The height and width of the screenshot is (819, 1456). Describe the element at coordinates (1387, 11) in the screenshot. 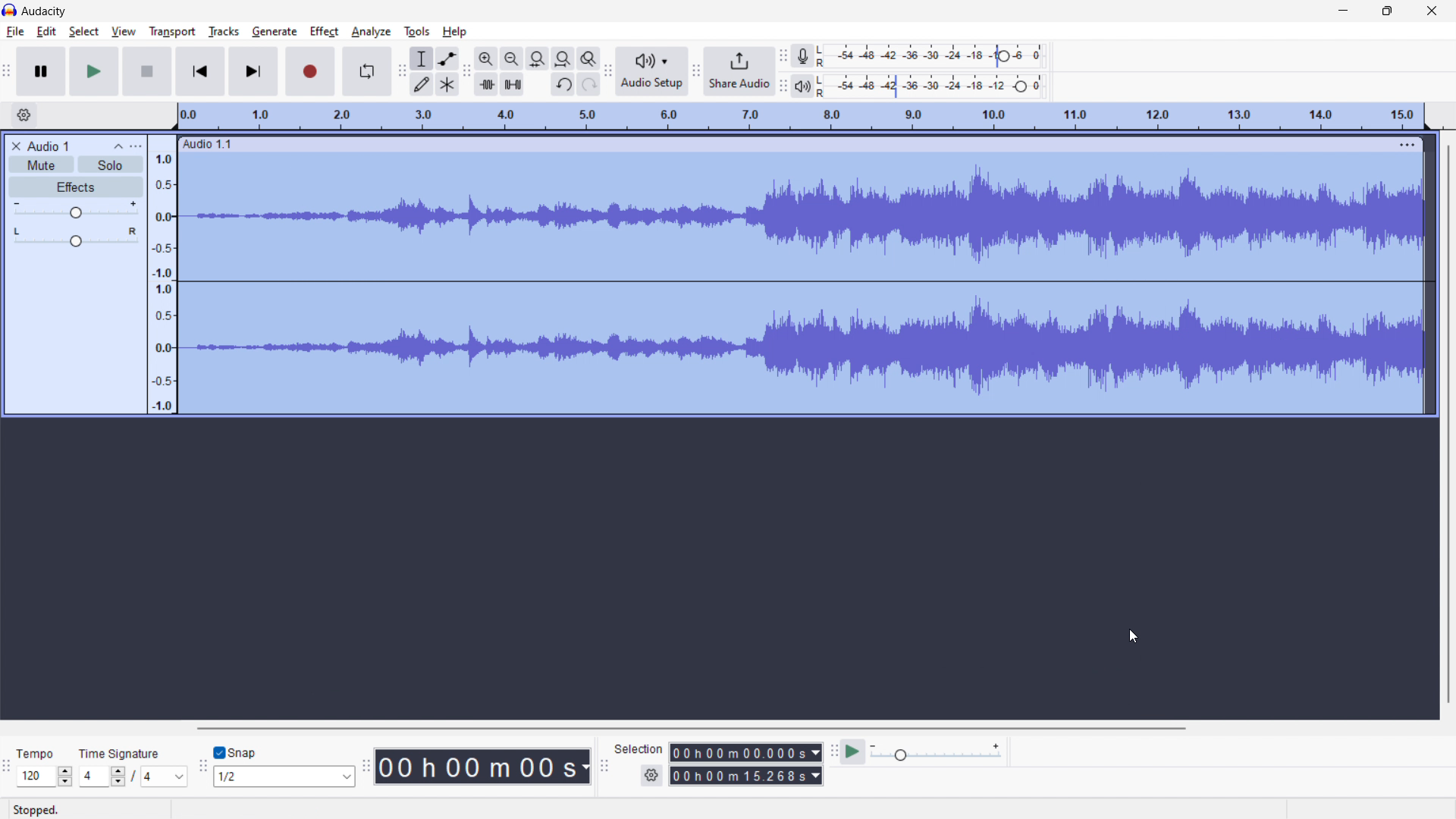

I see `maximize` at that location.